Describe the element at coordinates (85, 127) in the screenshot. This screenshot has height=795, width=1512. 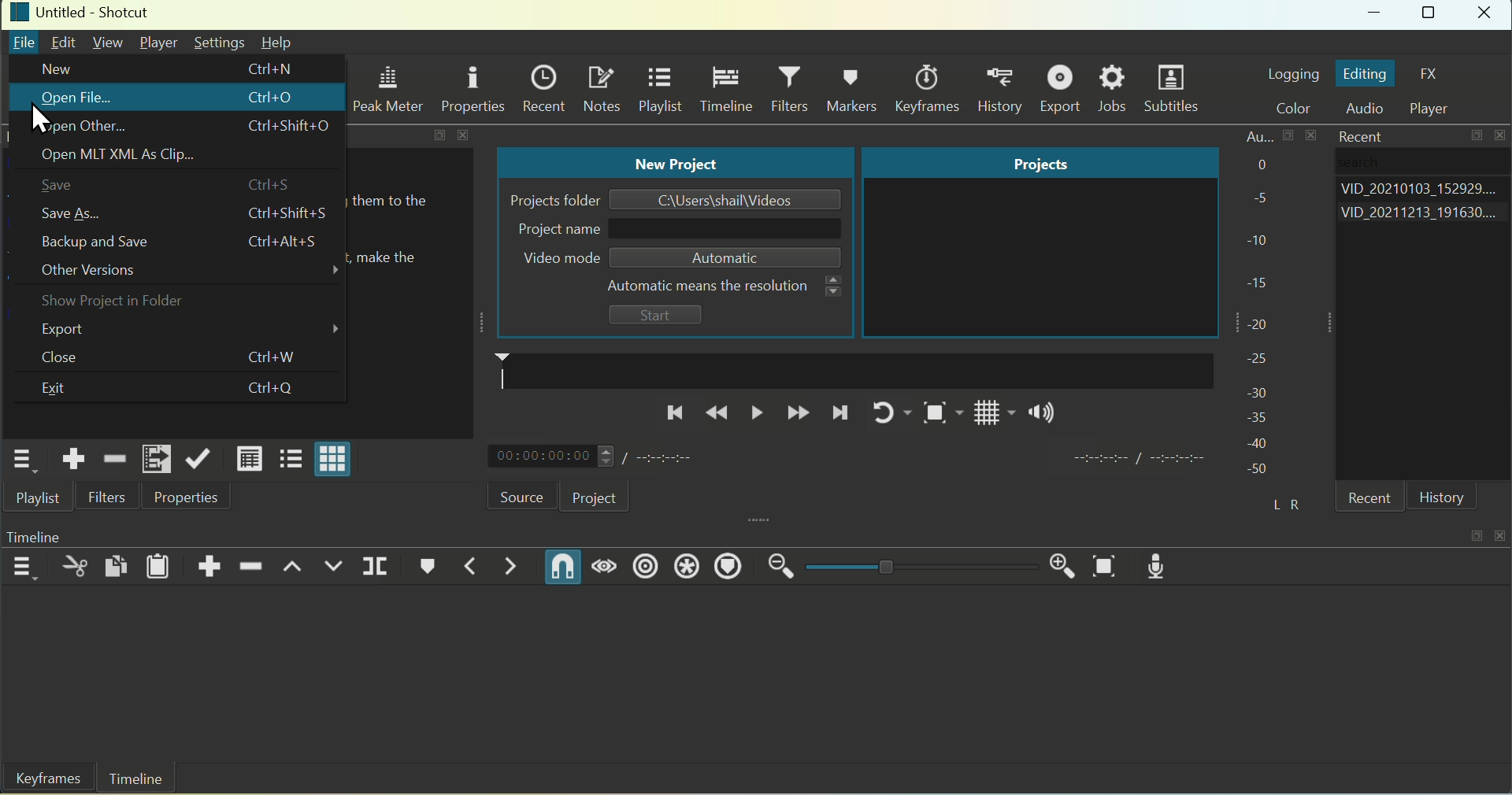
I see `Open Other...` at that location.